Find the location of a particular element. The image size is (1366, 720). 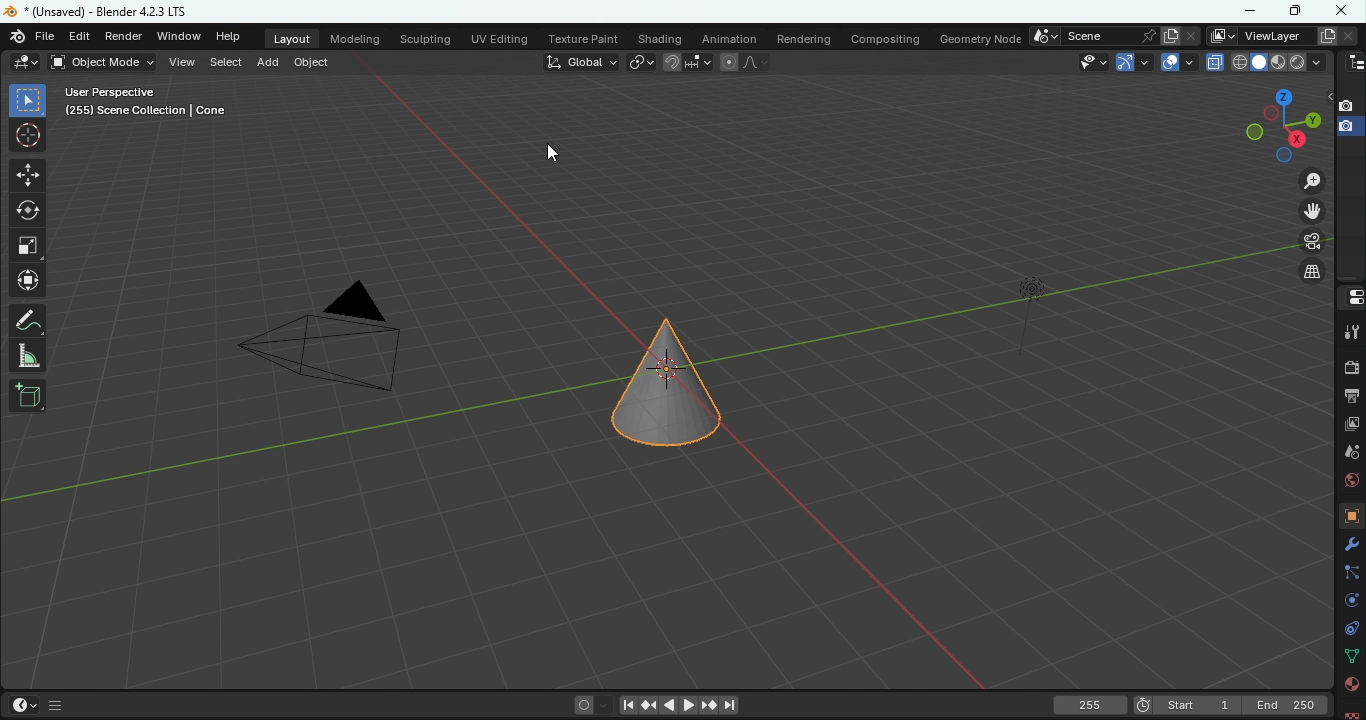

Texture paint is located at coordinates (580, 37).